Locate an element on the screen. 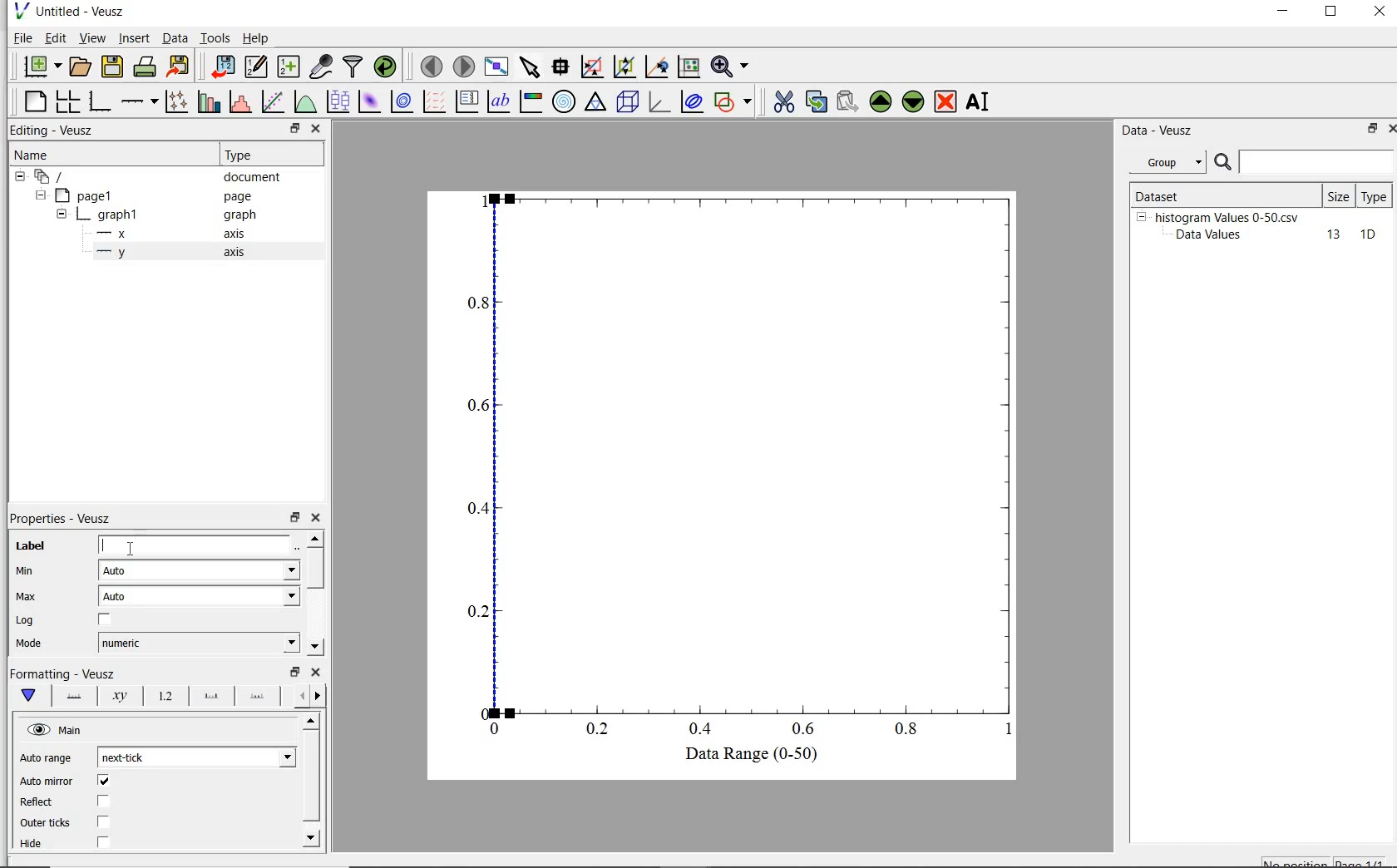 The image size is (1397, 868). close is located at coordinates (317, 129).